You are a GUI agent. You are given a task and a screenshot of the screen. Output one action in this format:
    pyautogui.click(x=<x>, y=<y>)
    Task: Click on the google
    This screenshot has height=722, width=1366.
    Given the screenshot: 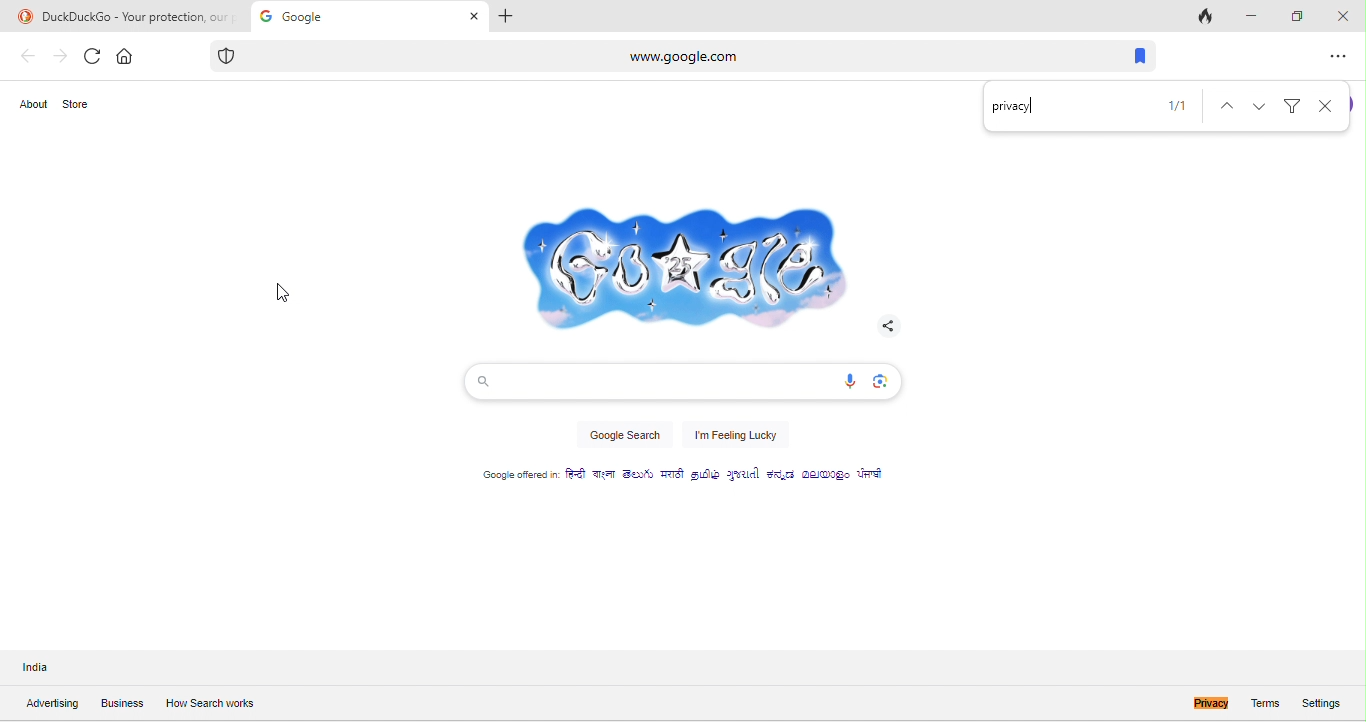 What is the action you would take?
    pyautogui.click(x=368, y=16)
    